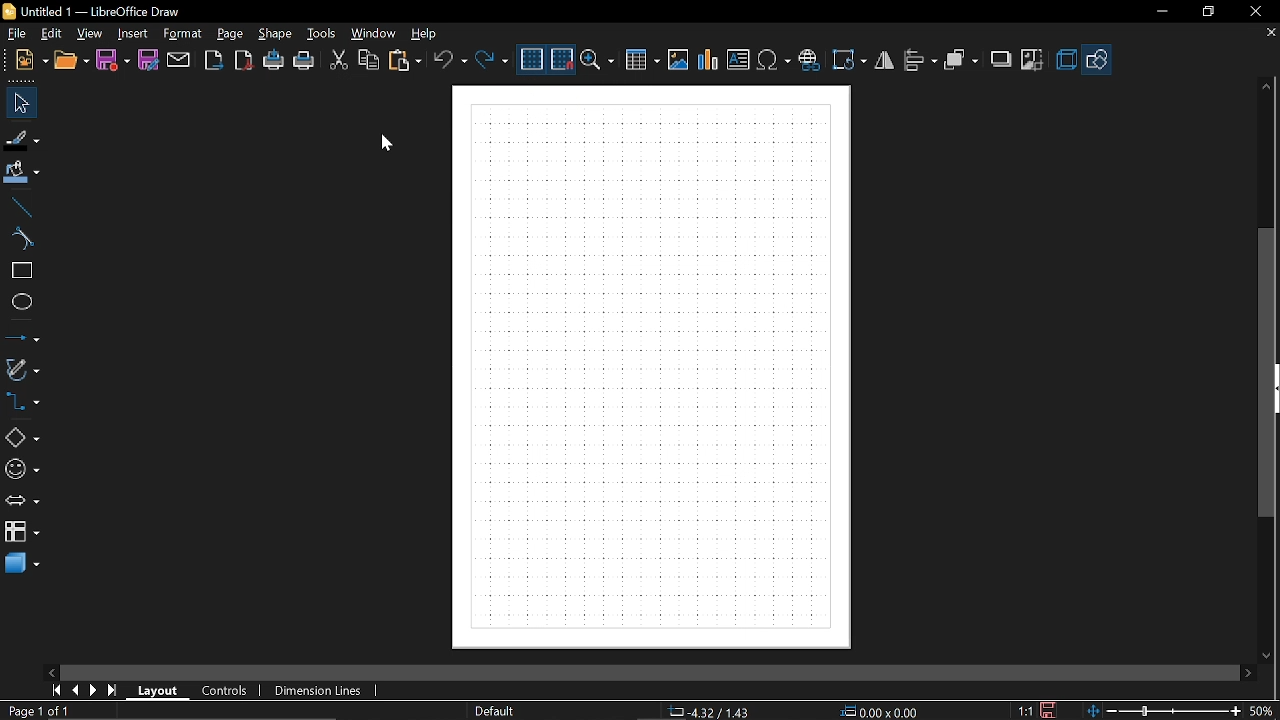  What do you see at coordinates (678, 59) in the screenshot?
I see ` image` at bounding box center [678, 59].